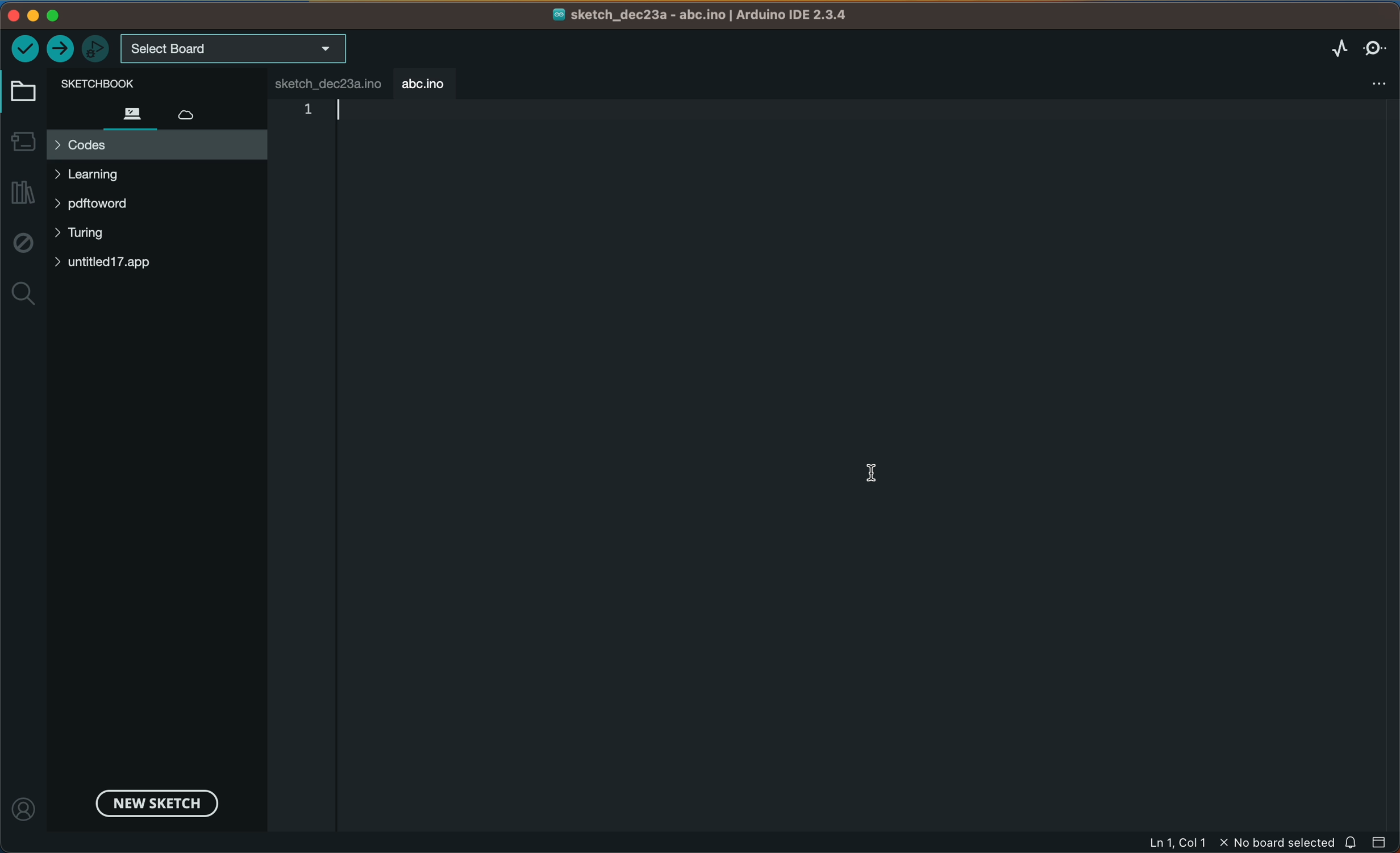 The width and height of the screenshot is (1400, 853). What do you see at coordinates (1236, 843) in the screenshot?
I see `file information` at bounding box center [1236, 843].